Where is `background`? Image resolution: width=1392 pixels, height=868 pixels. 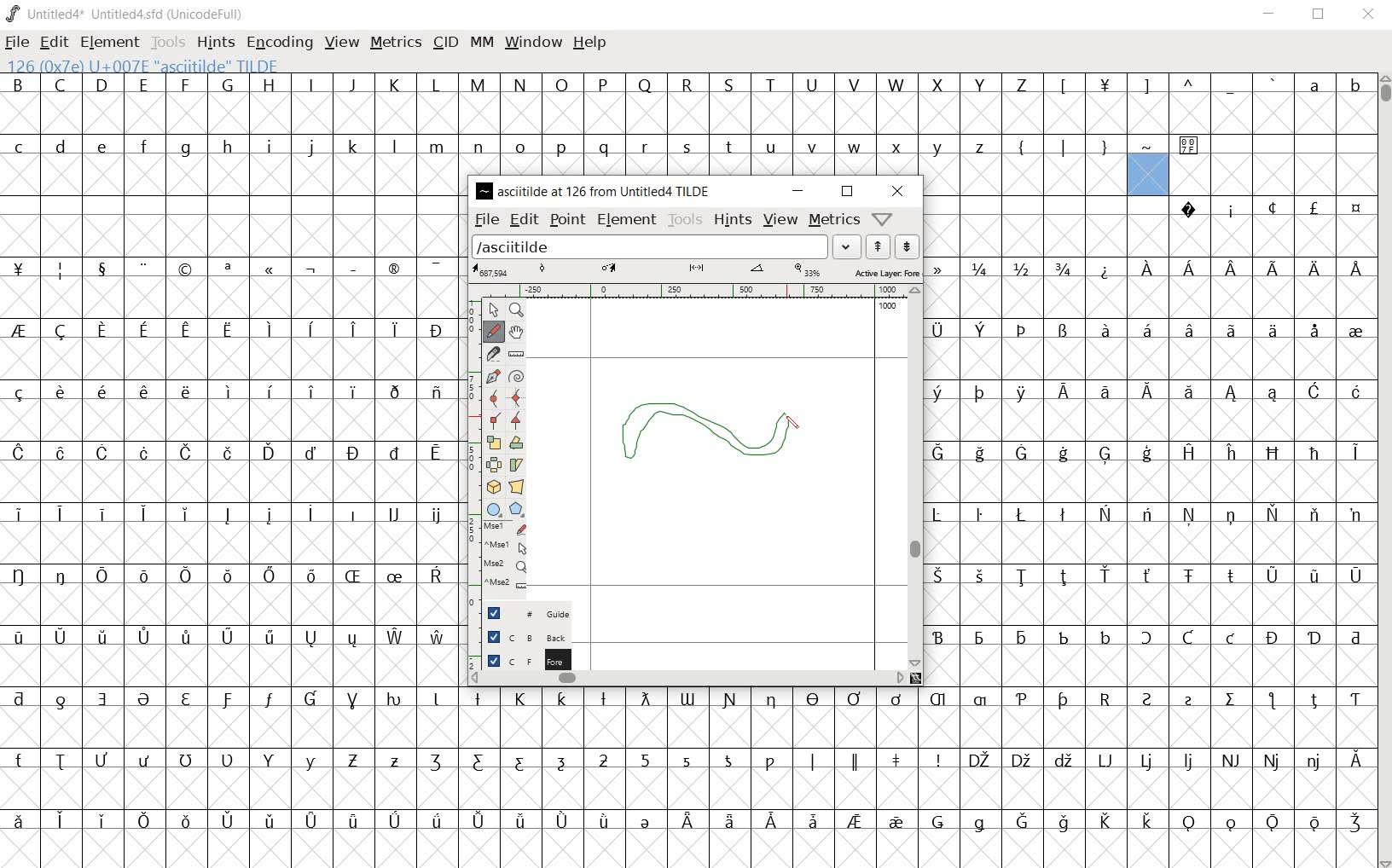 background is located at coordinates (519, 635).